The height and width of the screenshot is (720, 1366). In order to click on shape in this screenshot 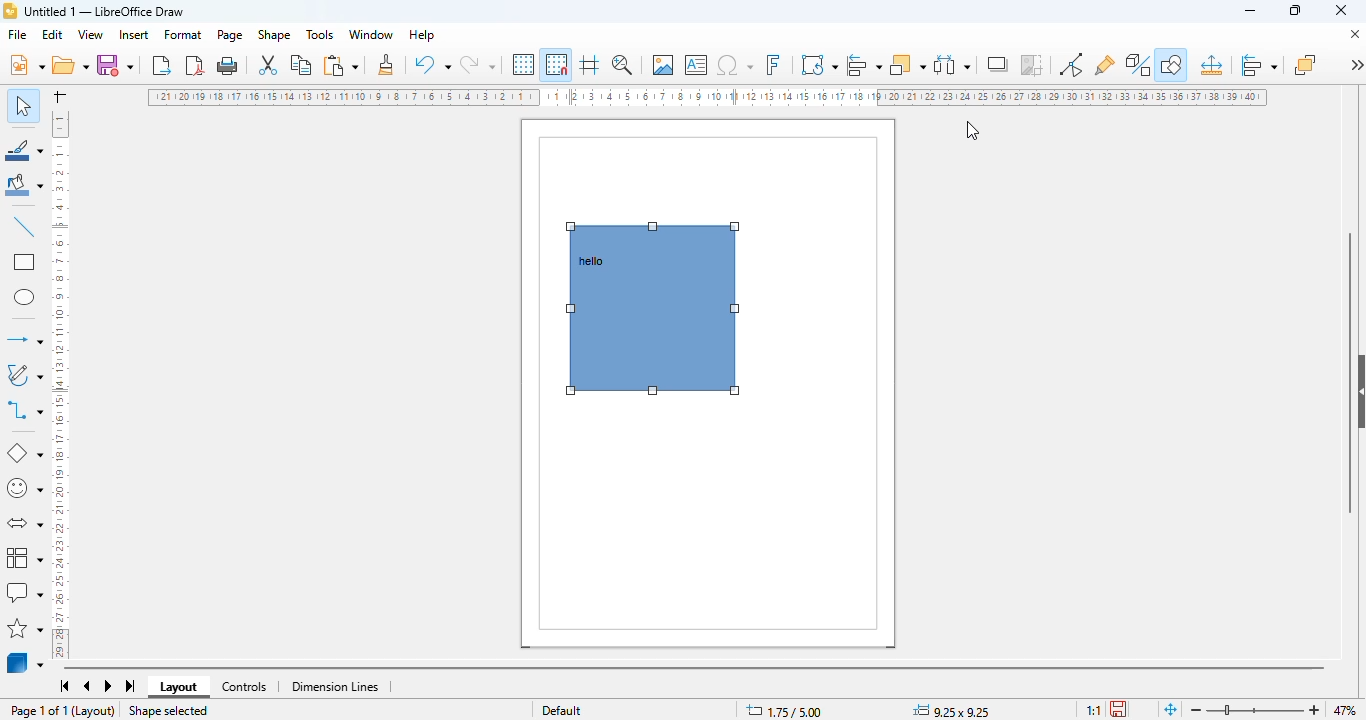, I will do `click(274, 35)`.